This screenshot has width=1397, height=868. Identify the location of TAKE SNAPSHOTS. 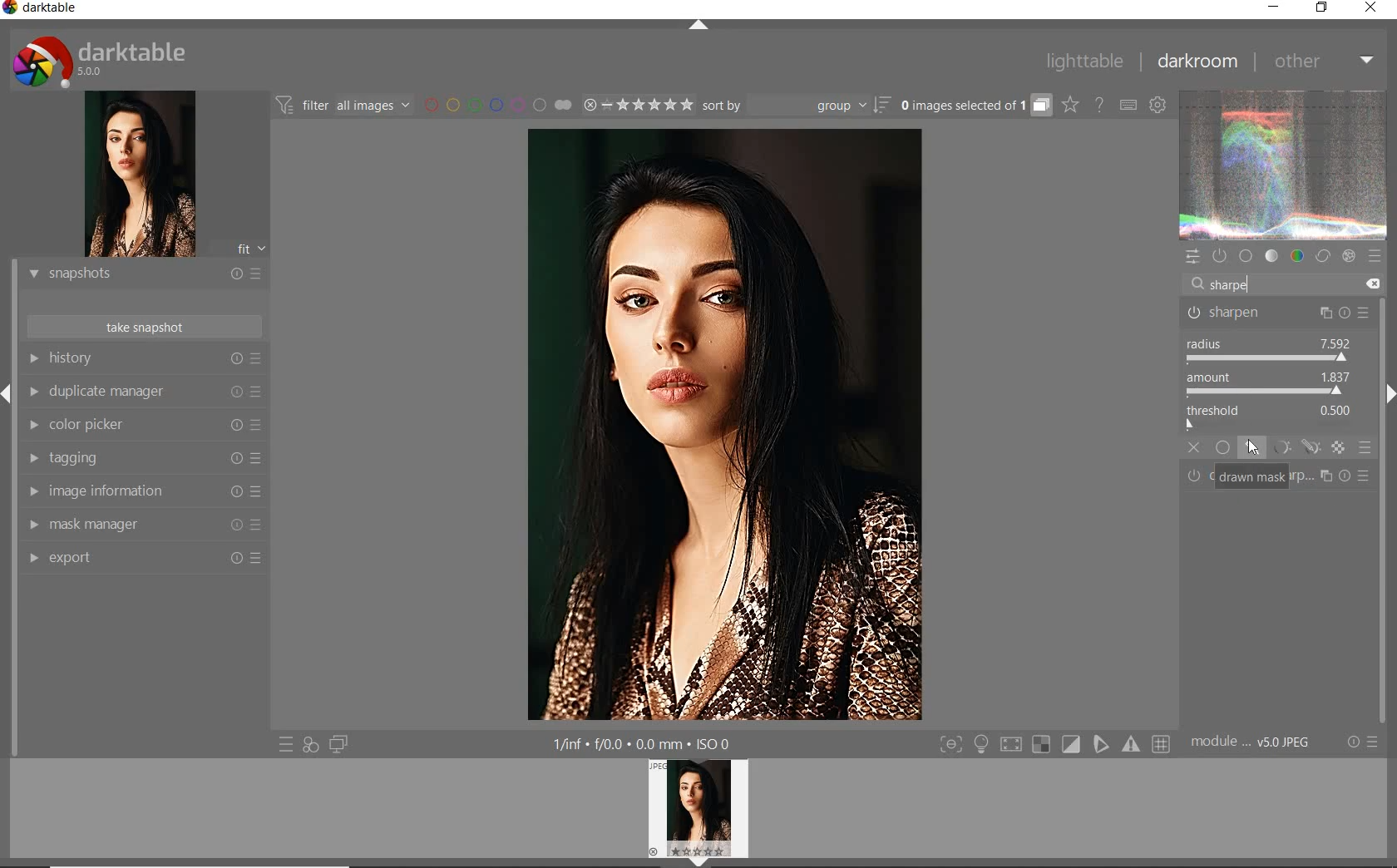
(146, 326).